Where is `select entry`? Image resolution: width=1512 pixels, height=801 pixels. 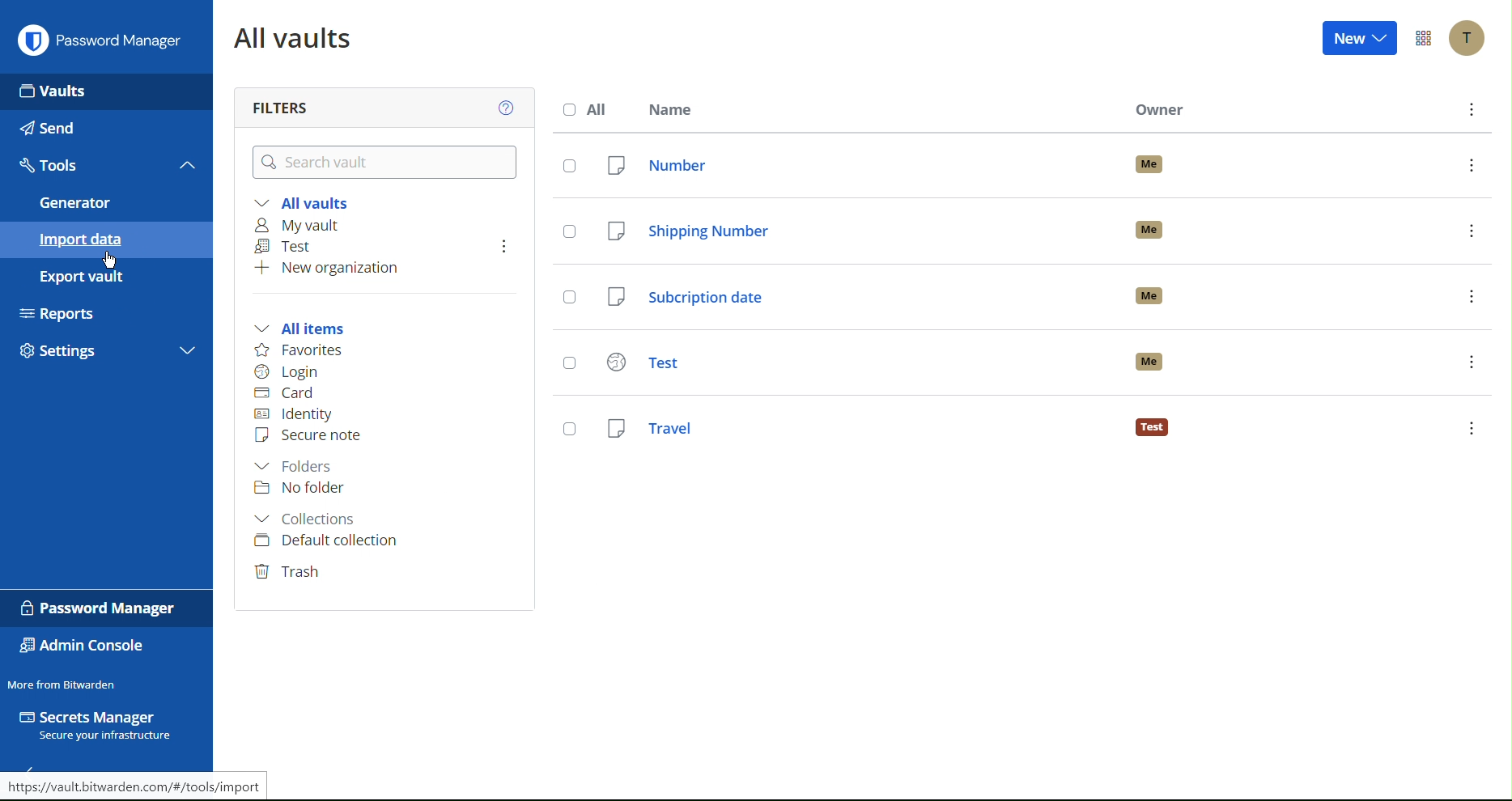 select entry is located at coordinates (567, 425).